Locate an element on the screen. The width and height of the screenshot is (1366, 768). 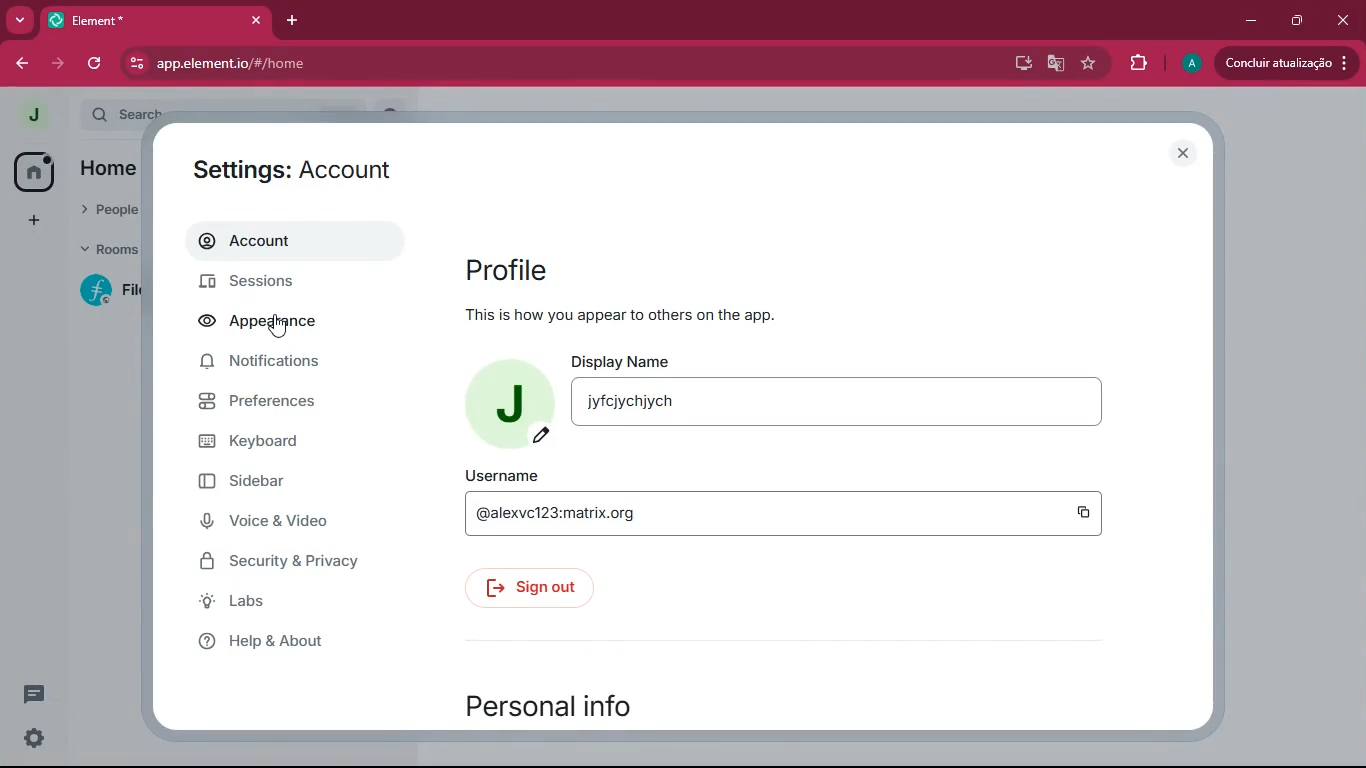
keyboard is located at coordinates (283, 442).